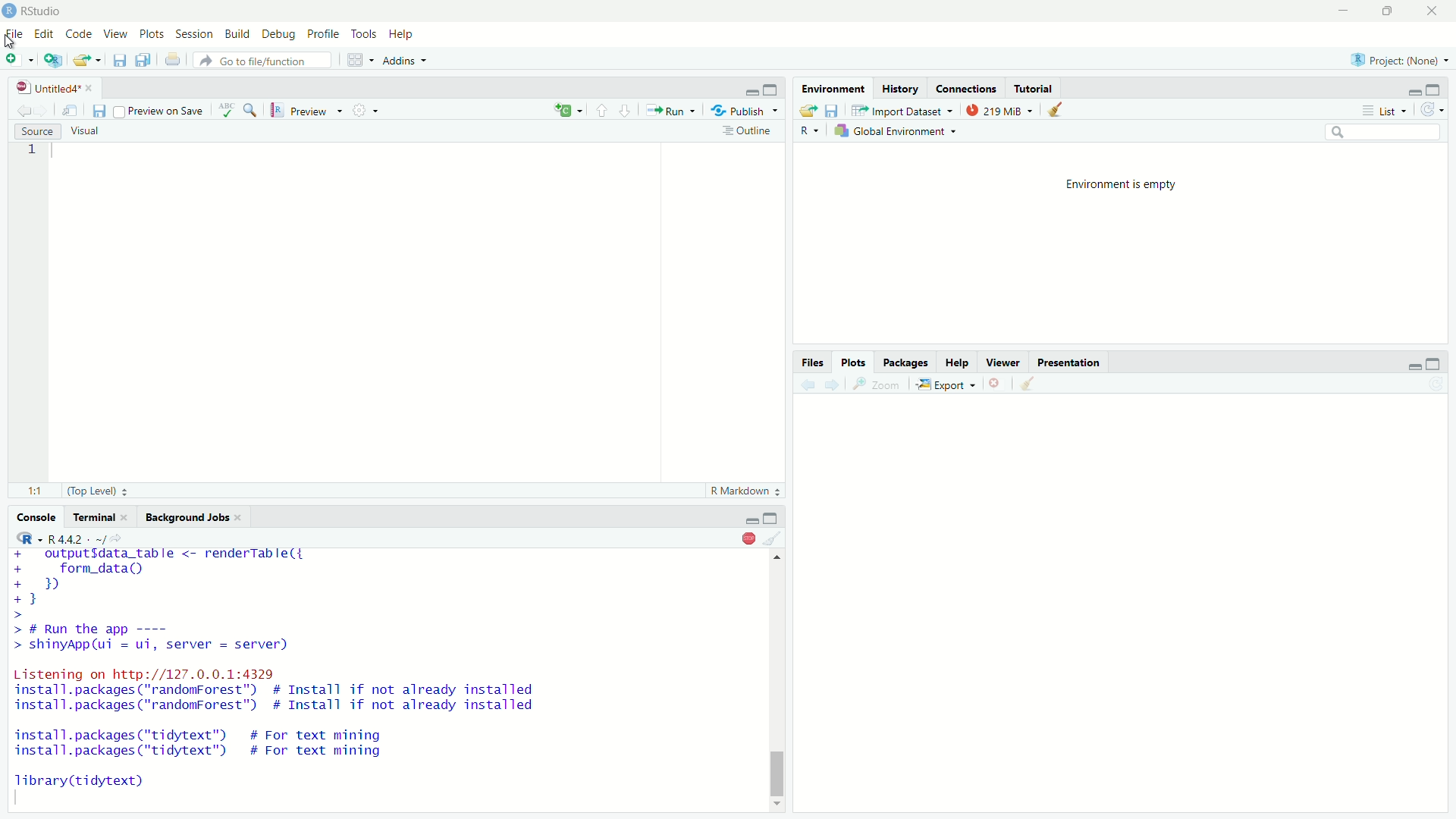 The width and height of the screenshot is (1456, 819). Describe the element at coordinates (1433, 363) in the screenshot. I see `maximize` at that location.